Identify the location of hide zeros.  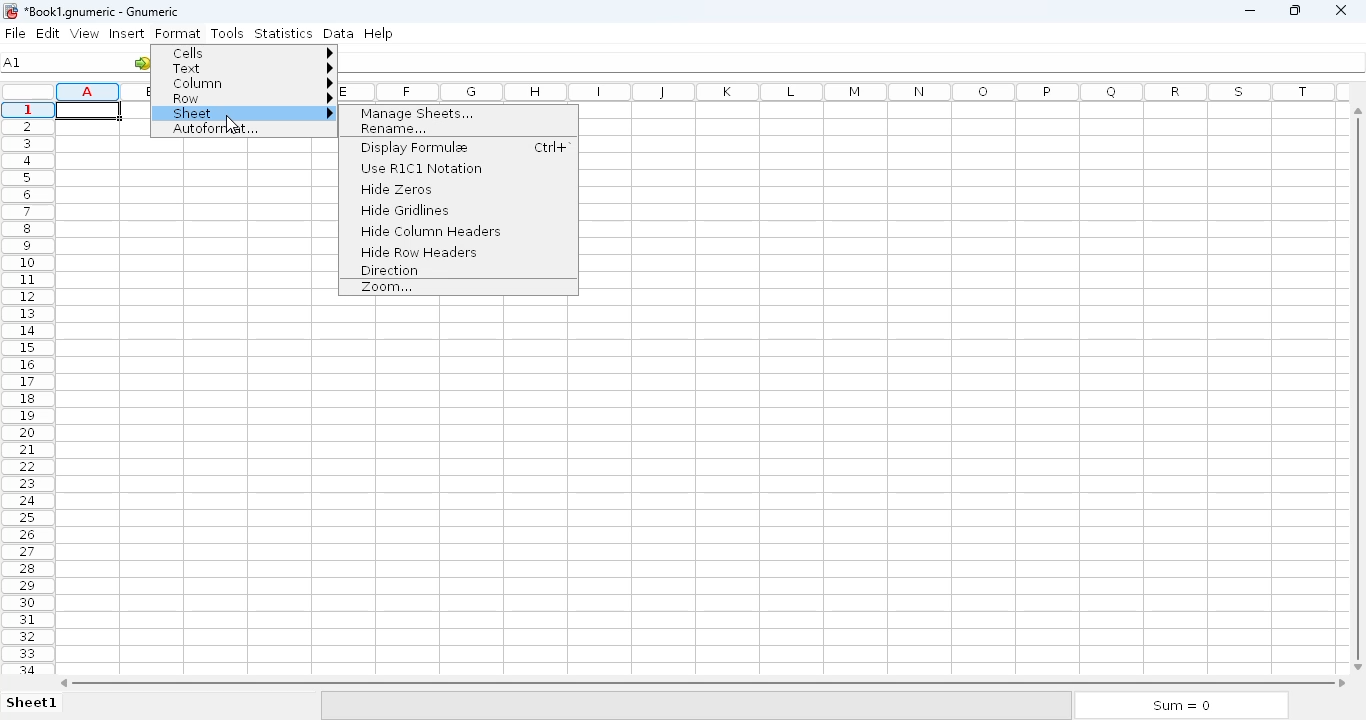
(398, 189).